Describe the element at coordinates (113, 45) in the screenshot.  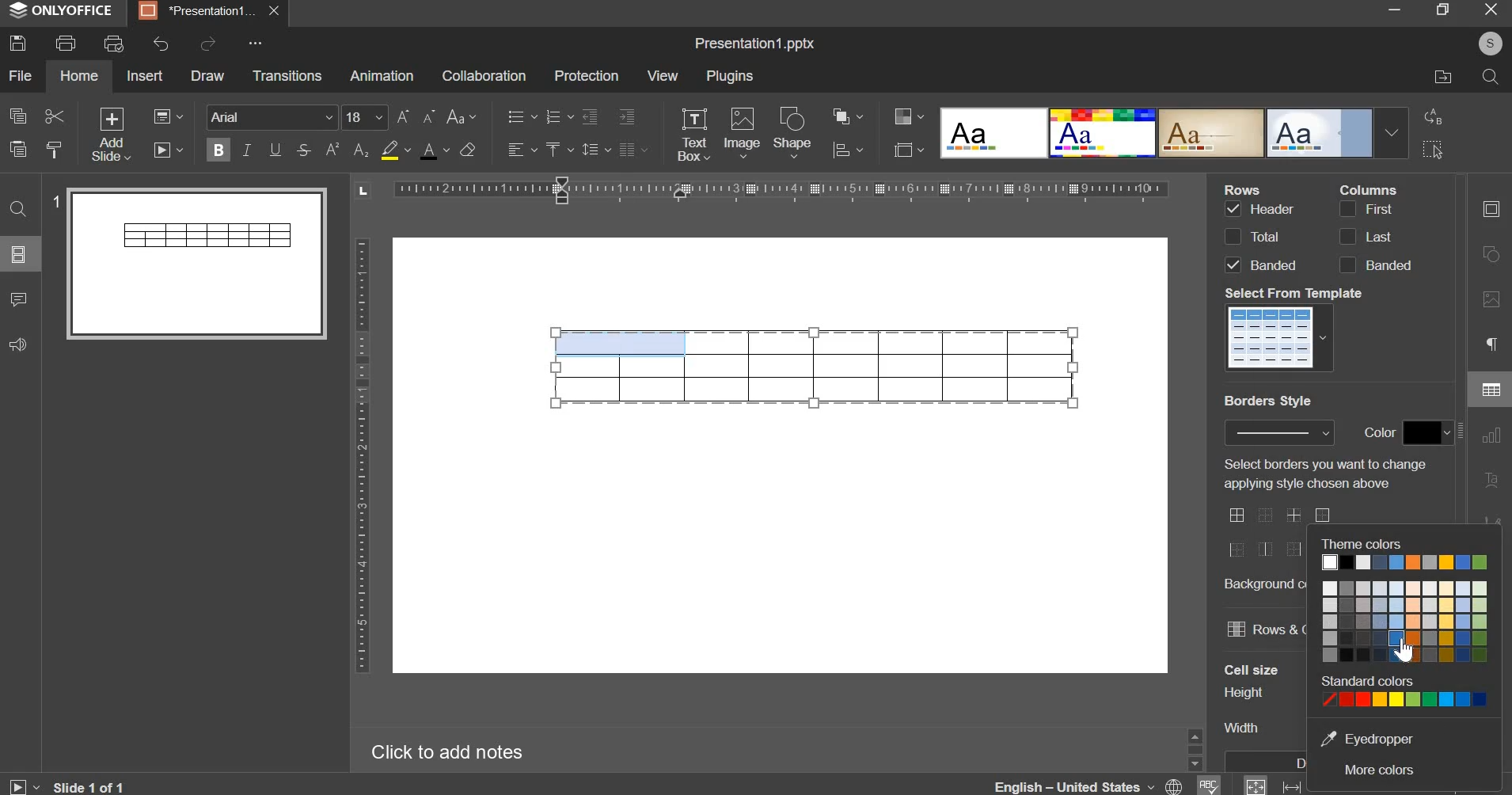
I see `print preview` at that location.